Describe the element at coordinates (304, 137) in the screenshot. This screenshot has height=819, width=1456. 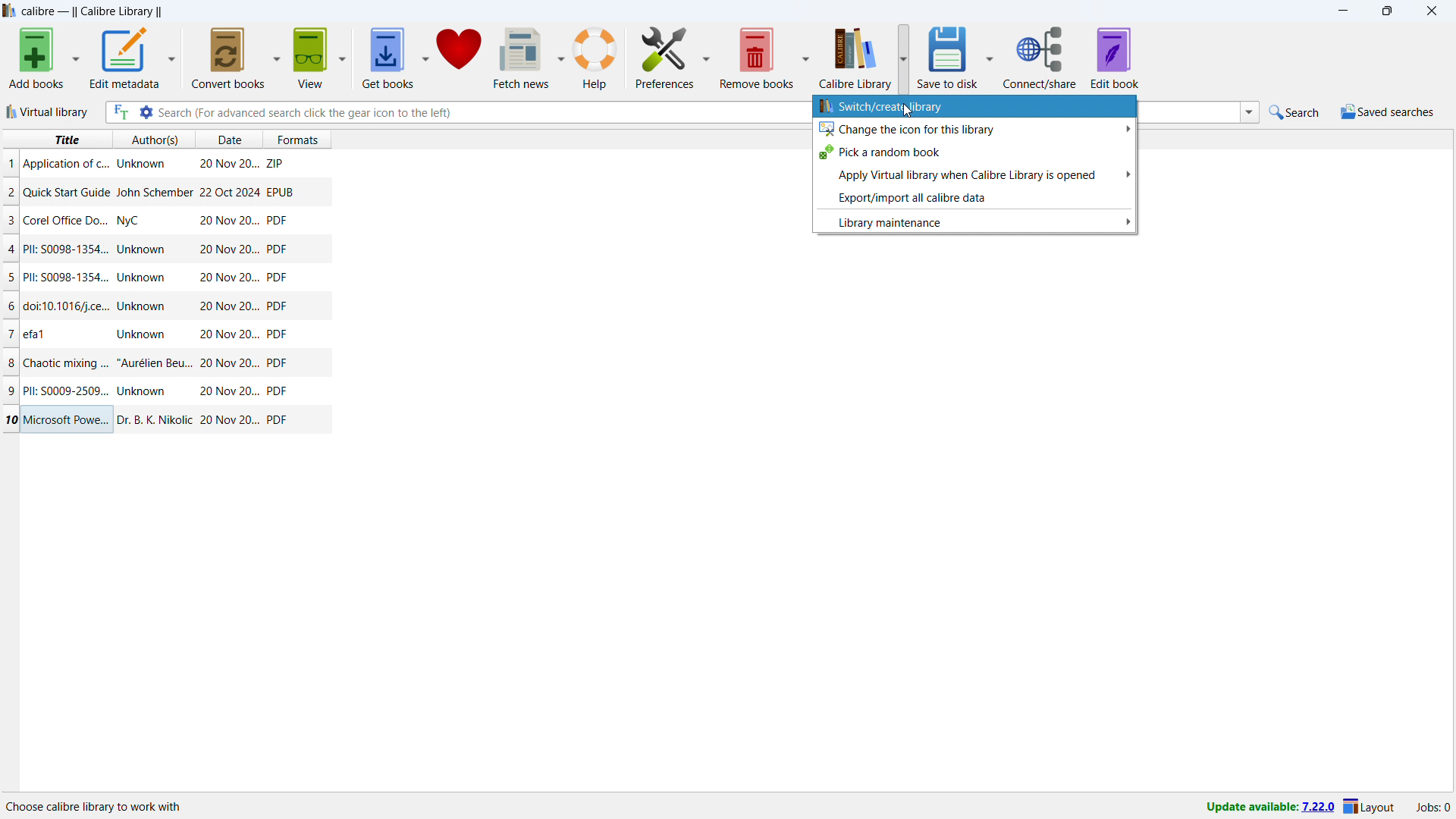
I see `formats` at that location.